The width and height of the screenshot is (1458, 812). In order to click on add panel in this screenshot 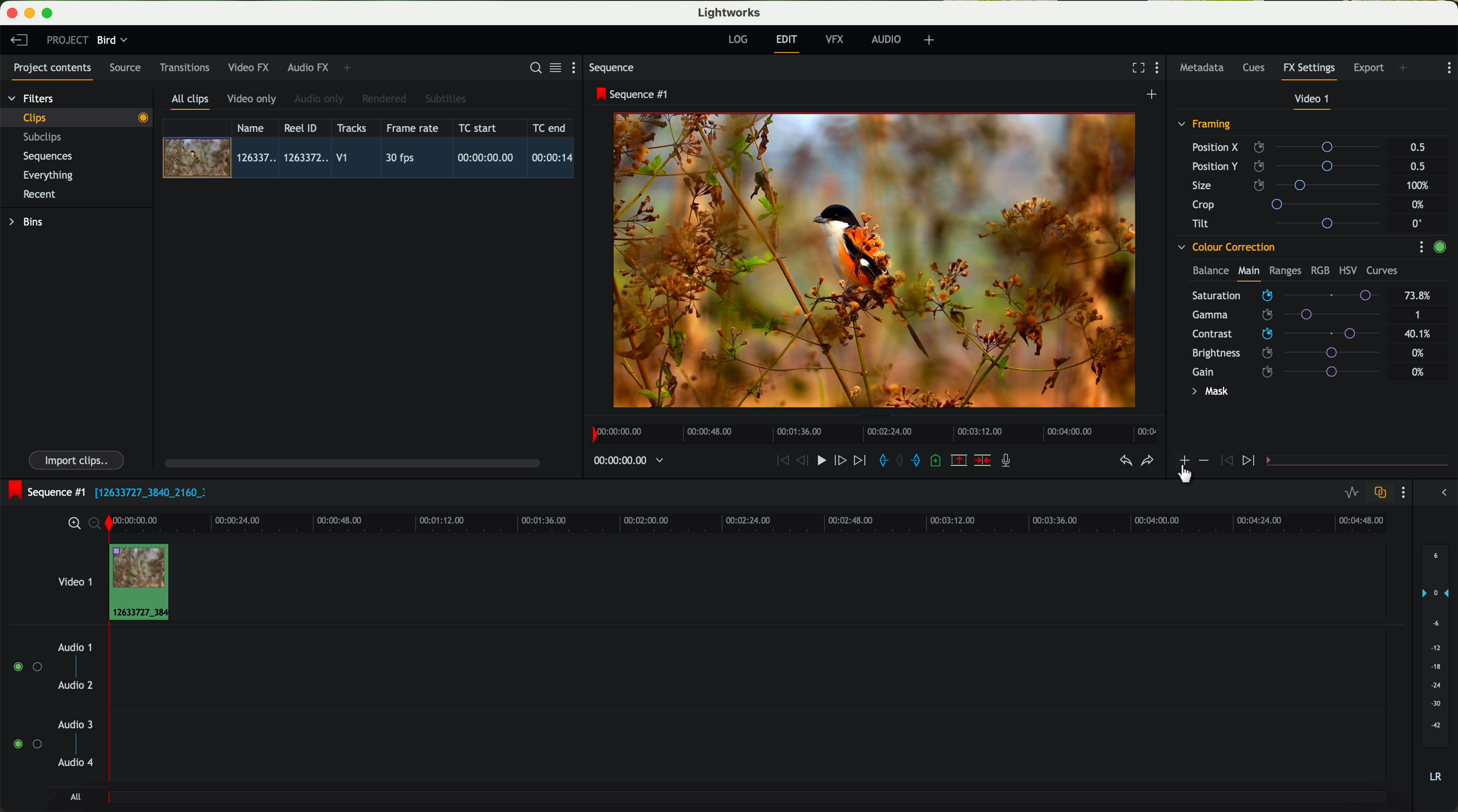, I will do `click(1406, 69)`.